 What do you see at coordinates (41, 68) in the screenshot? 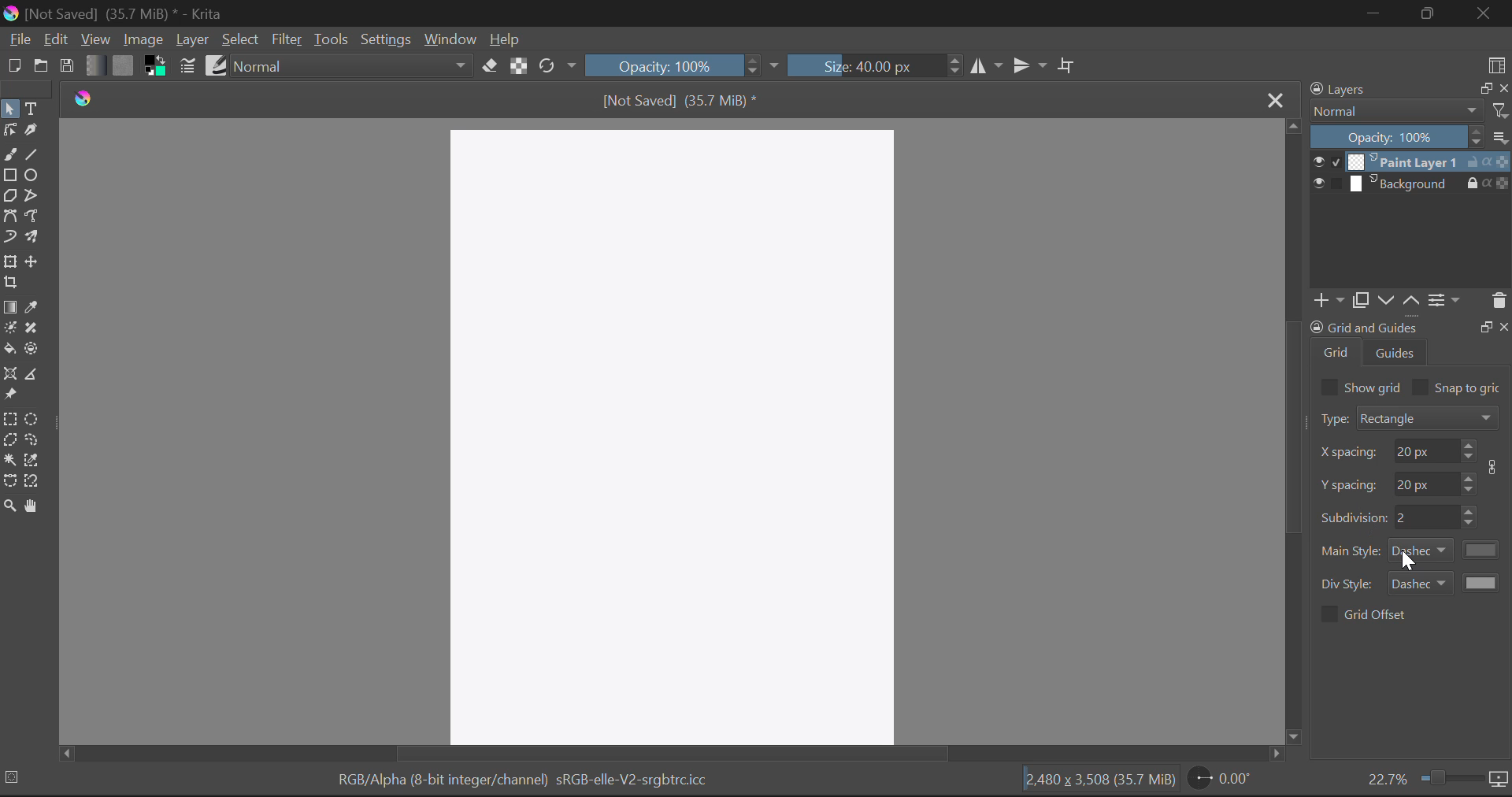
I see `Open` at bounding box center [41, 68].